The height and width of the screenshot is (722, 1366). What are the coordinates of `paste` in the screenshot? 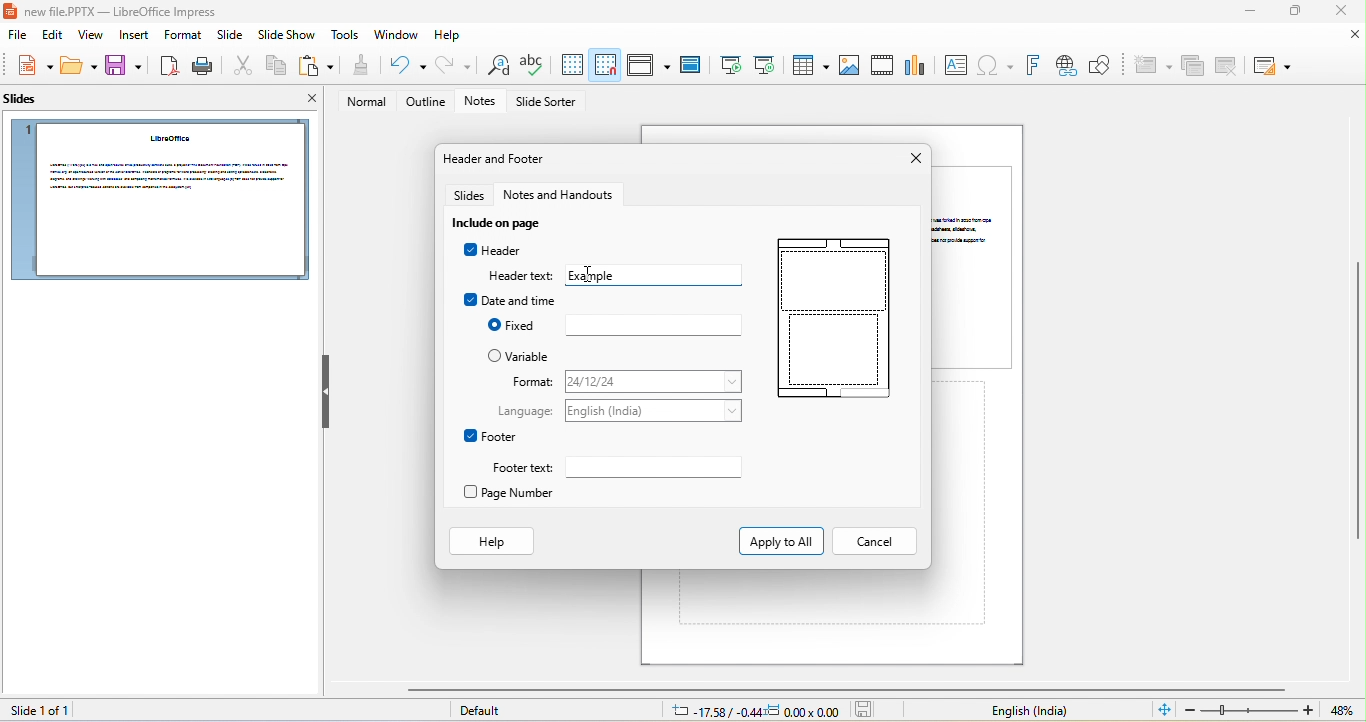 It's located at (316, 66).